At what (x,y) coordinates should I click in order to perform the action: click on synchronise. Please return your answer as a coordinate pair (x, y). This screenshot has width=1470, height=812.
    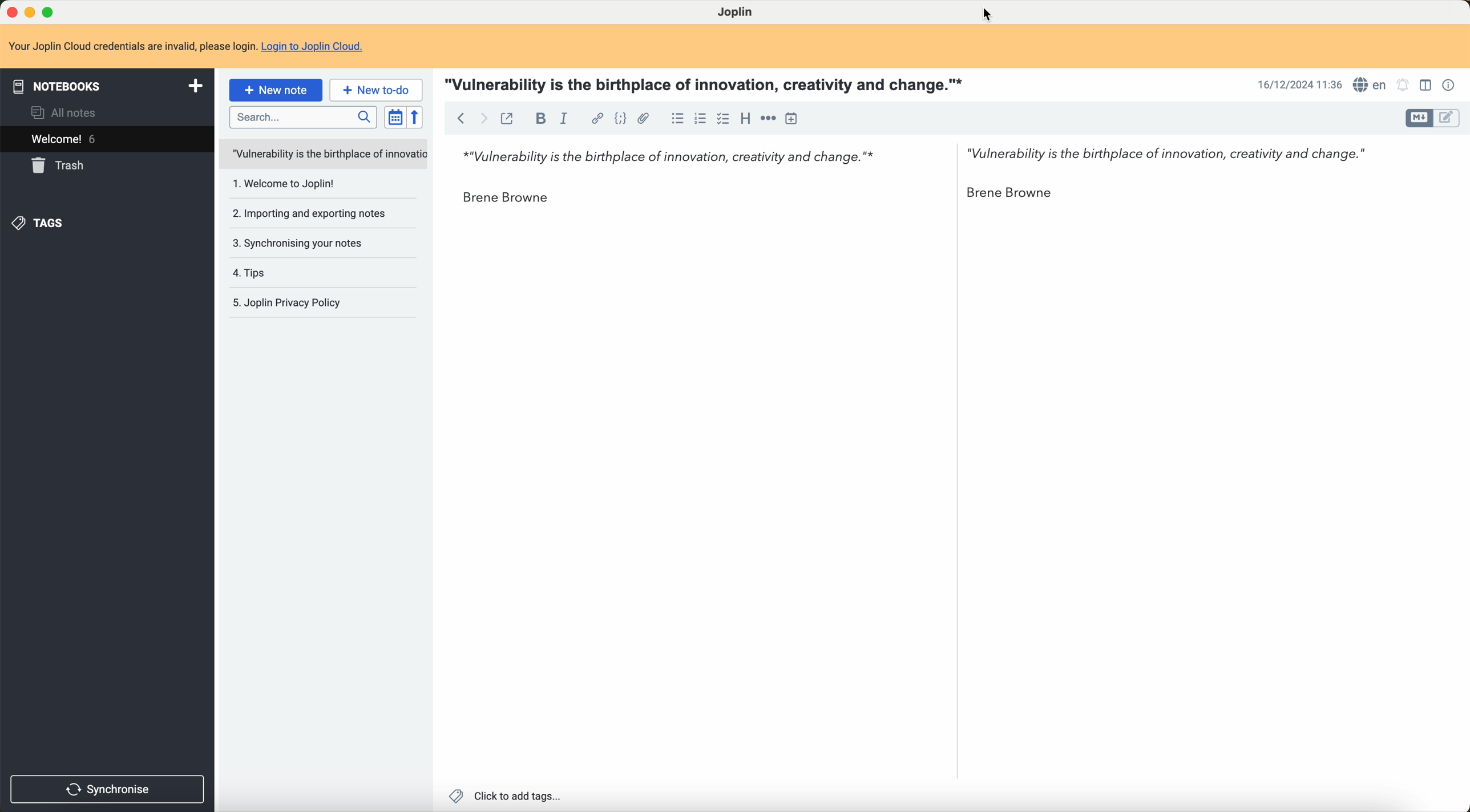
    Looking at the image, I should click on (109, 788).